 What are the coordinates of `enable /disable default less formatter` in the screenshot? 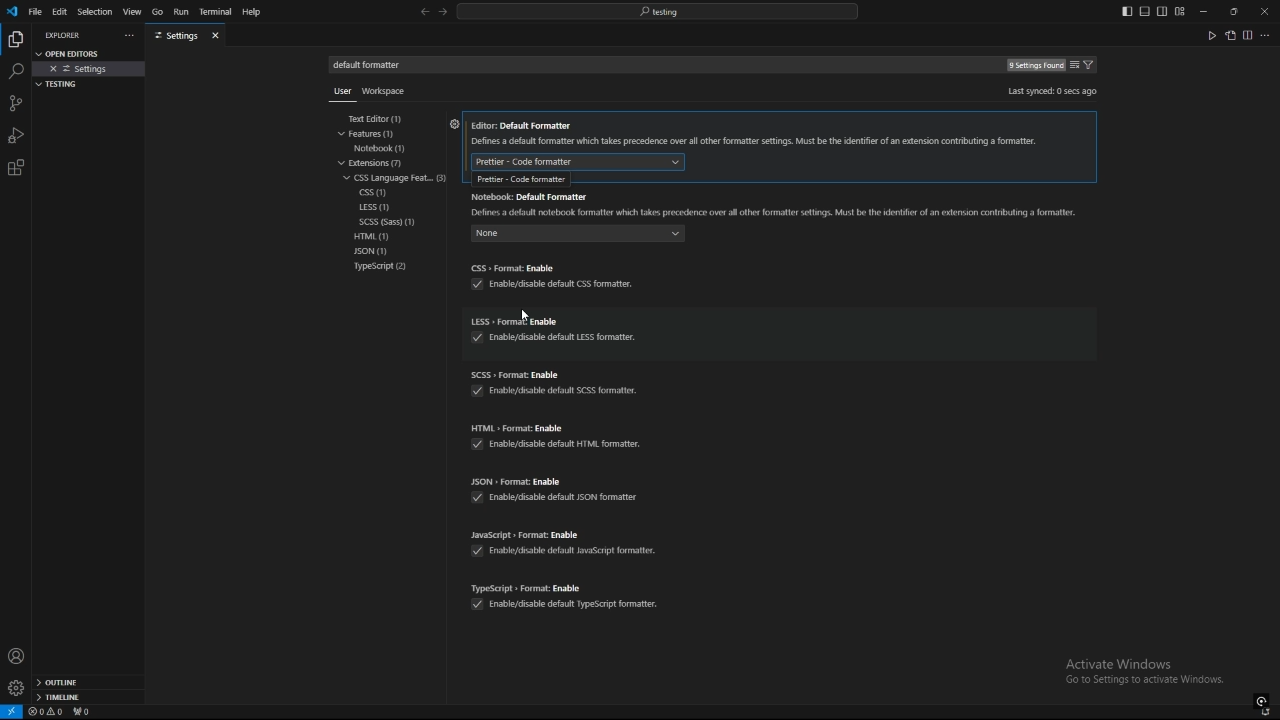 It's located at (559, 340).